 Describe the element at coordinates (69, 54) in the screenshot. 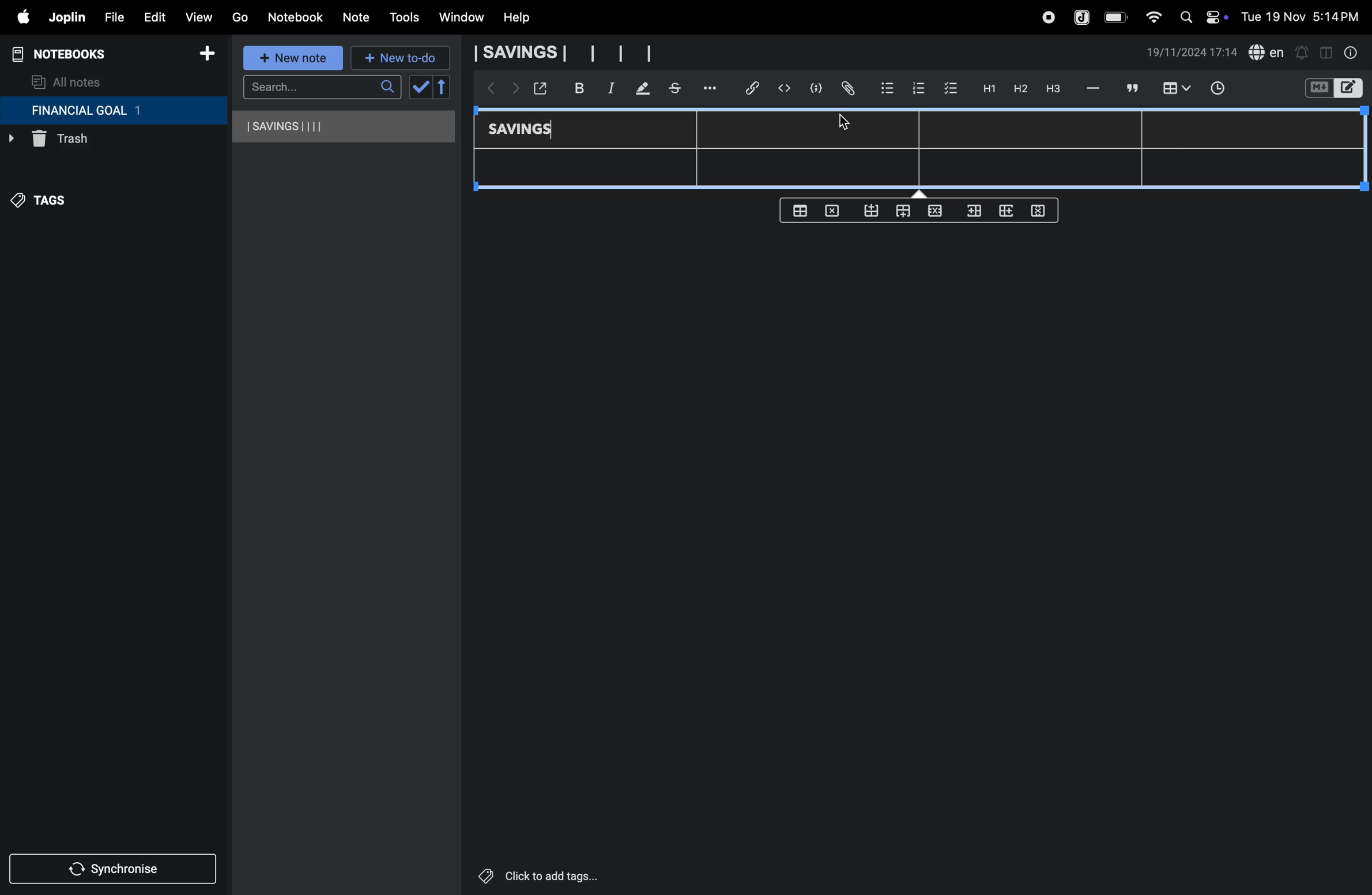

I see `notebooks` at that location.